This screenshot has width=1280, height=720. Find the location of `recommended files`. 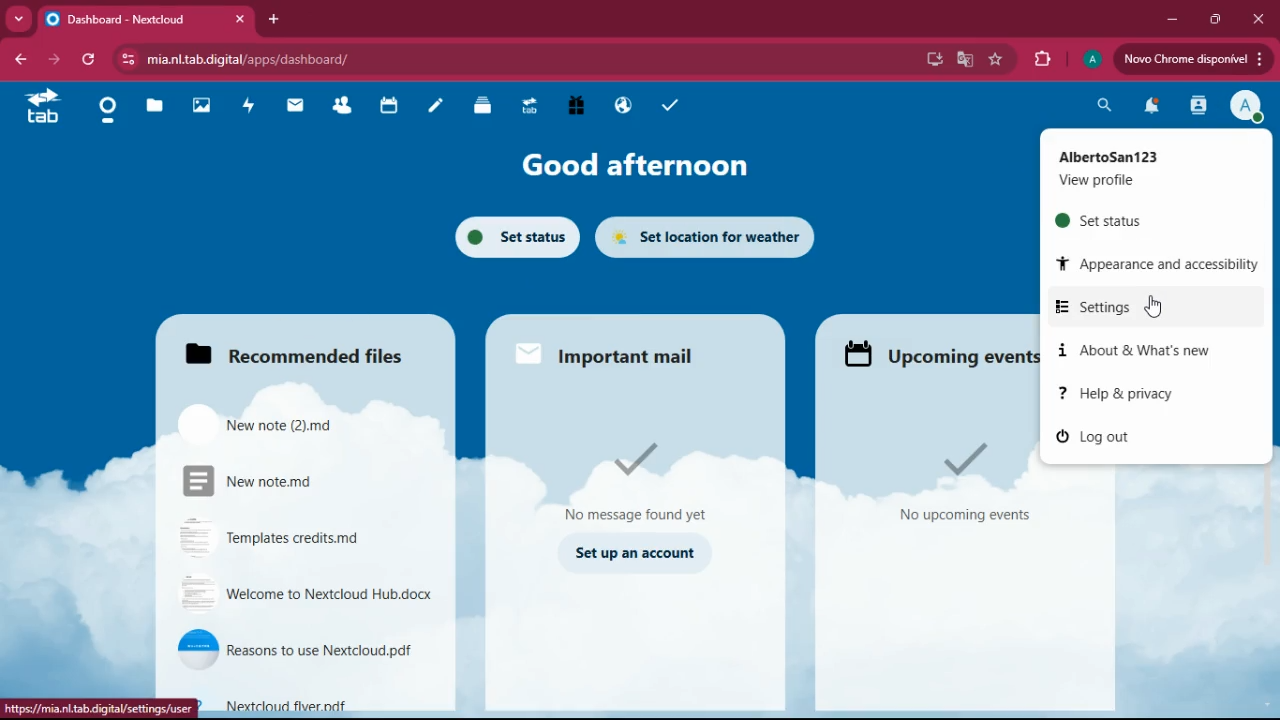

recommended files is located at coordinates (314, 354).